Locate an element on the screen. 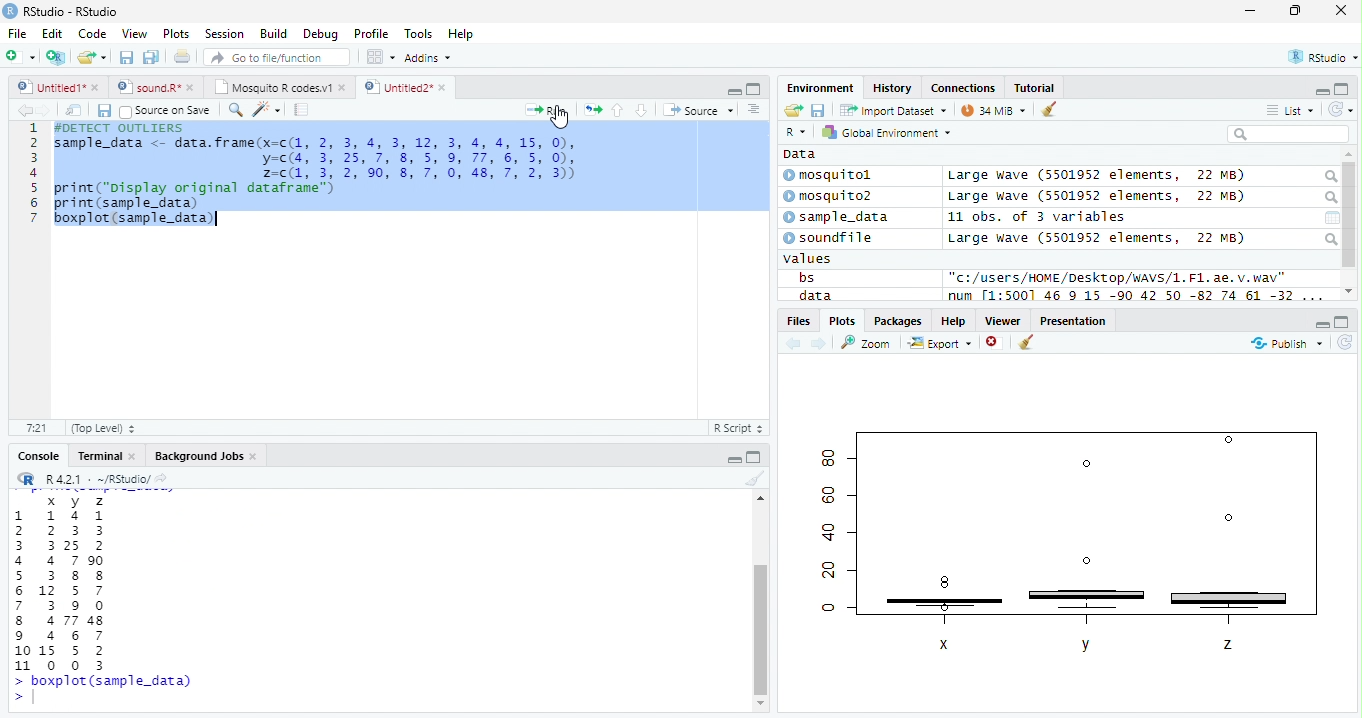  workspace panes is located at coordinates (382, 57).